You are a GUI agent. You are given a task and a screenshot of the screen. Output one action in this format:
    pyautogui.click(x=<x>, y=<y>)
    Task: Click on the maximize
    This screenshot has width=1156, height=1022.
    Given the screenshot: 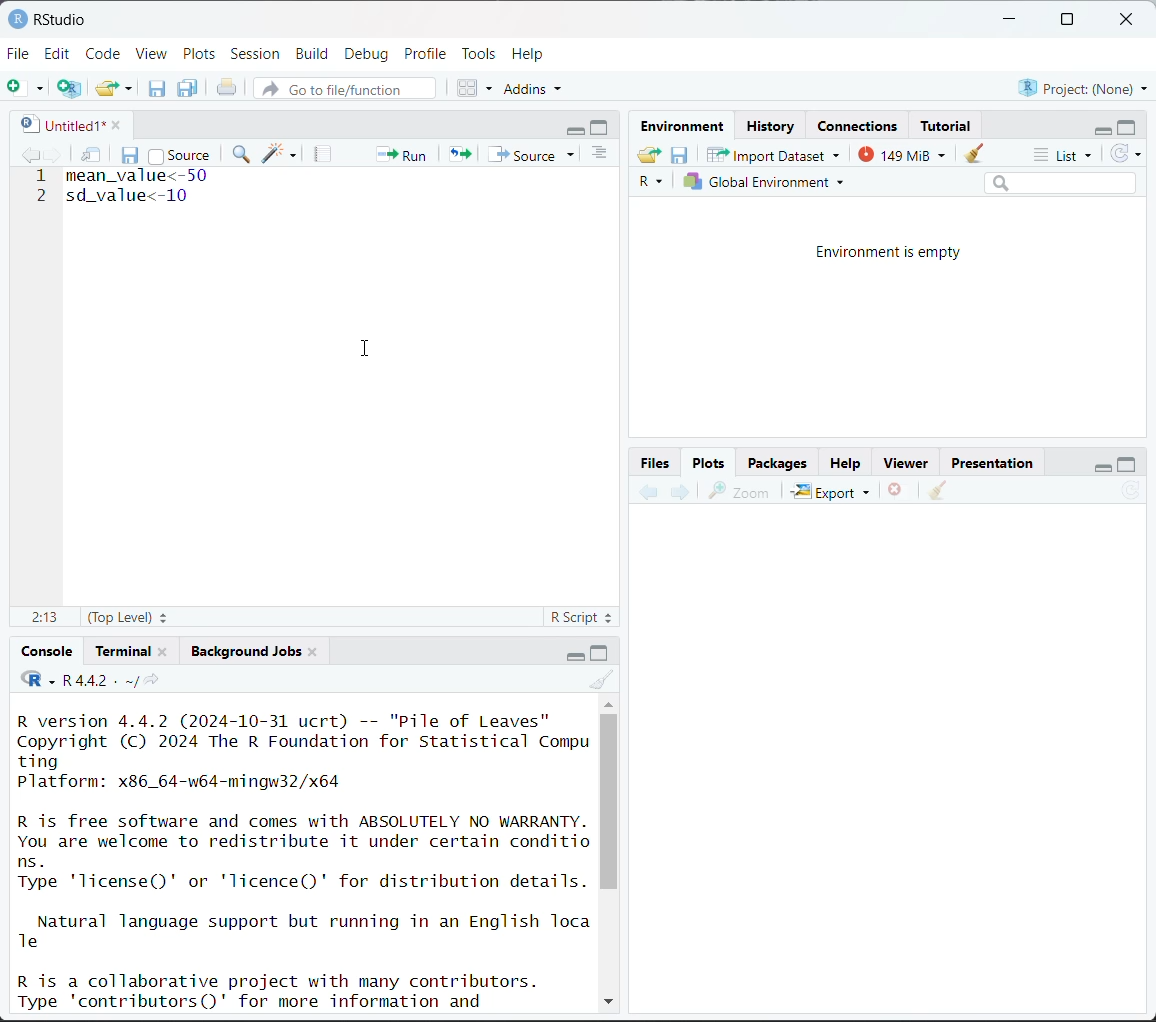 What is the action you would take?
    pyautogui.click(x=602, y=127)
    